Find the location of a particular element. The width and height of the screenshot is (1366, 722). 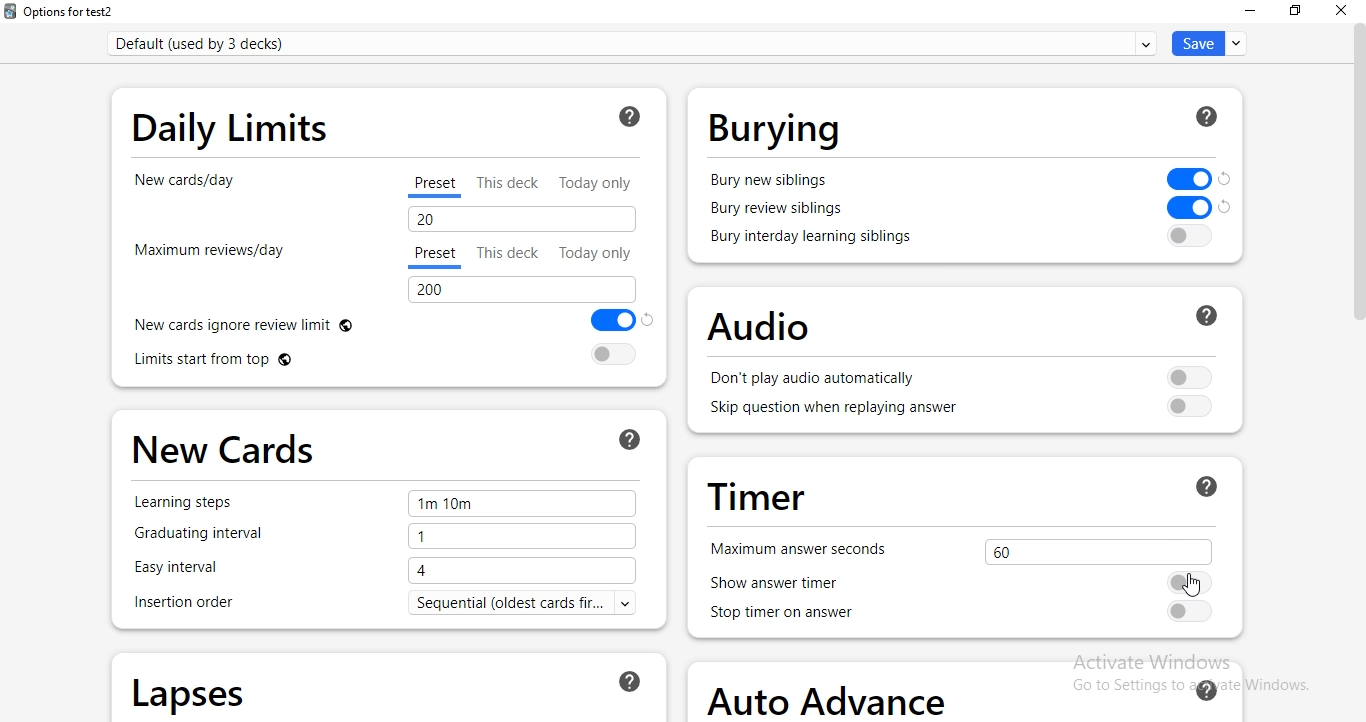

preset is located at coordinates (436, 254).